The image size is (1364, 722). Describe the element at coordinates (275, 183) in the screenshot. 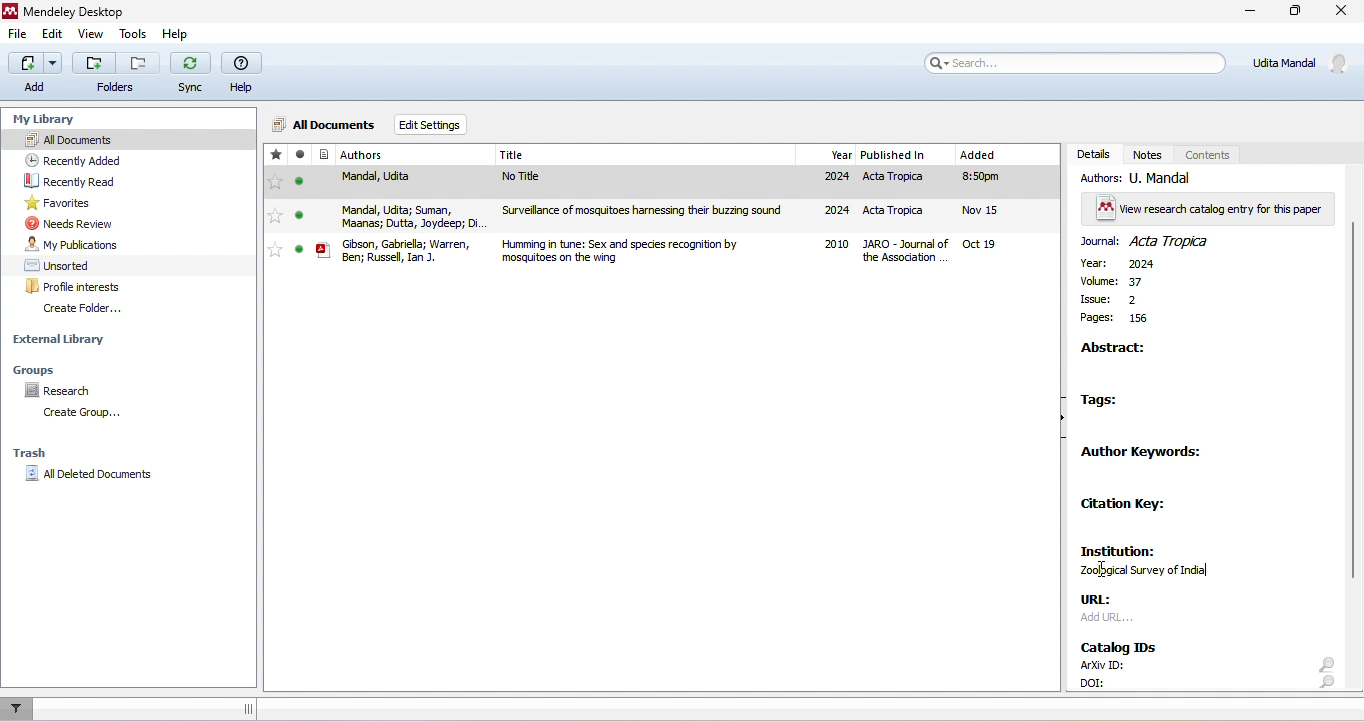

I see `favorites toggle` at that location.